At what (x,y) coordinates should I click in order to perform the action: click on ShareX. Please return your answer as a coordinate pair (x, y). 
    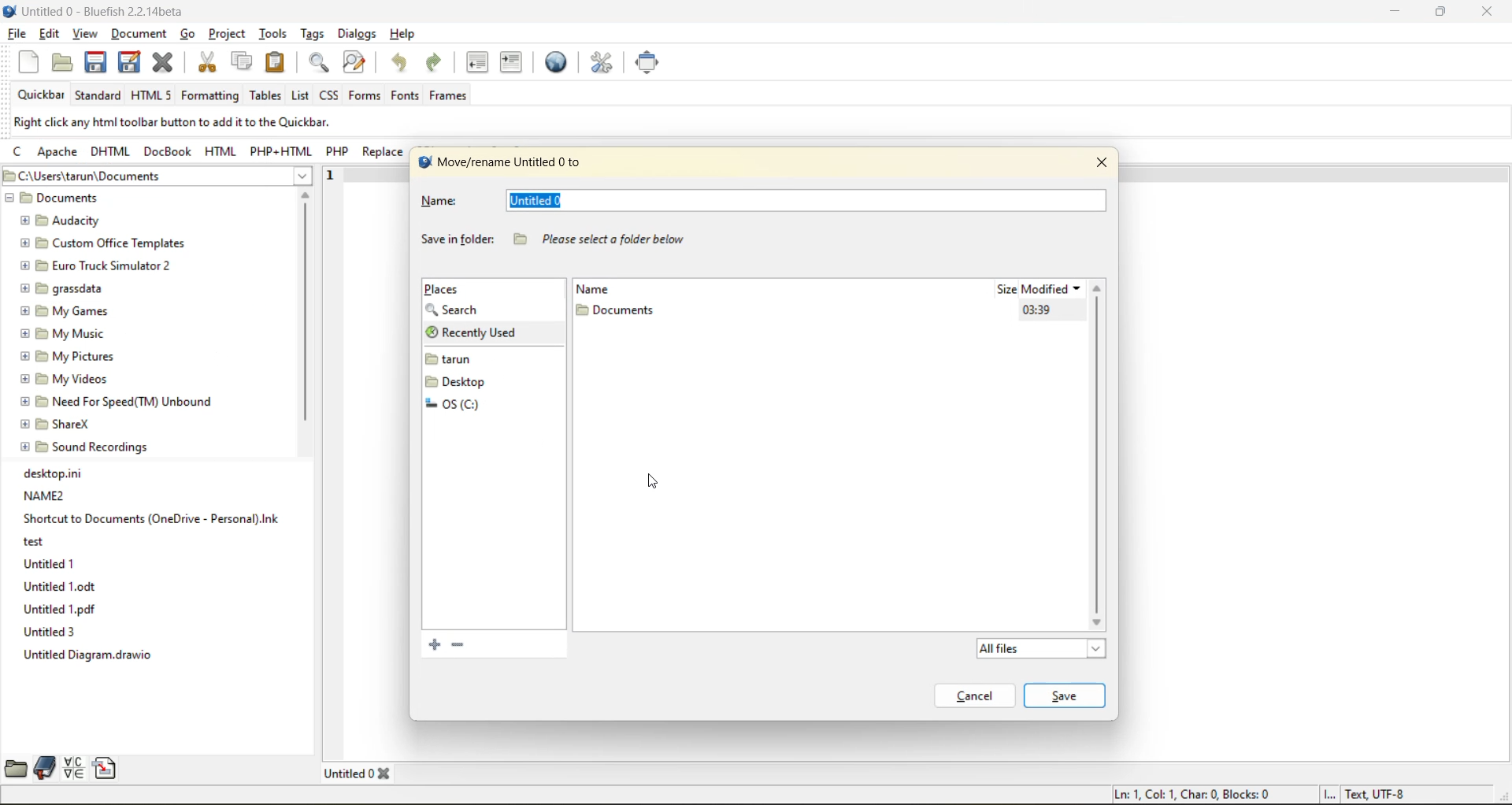
    Looking at the image, I should click on (56, 423).